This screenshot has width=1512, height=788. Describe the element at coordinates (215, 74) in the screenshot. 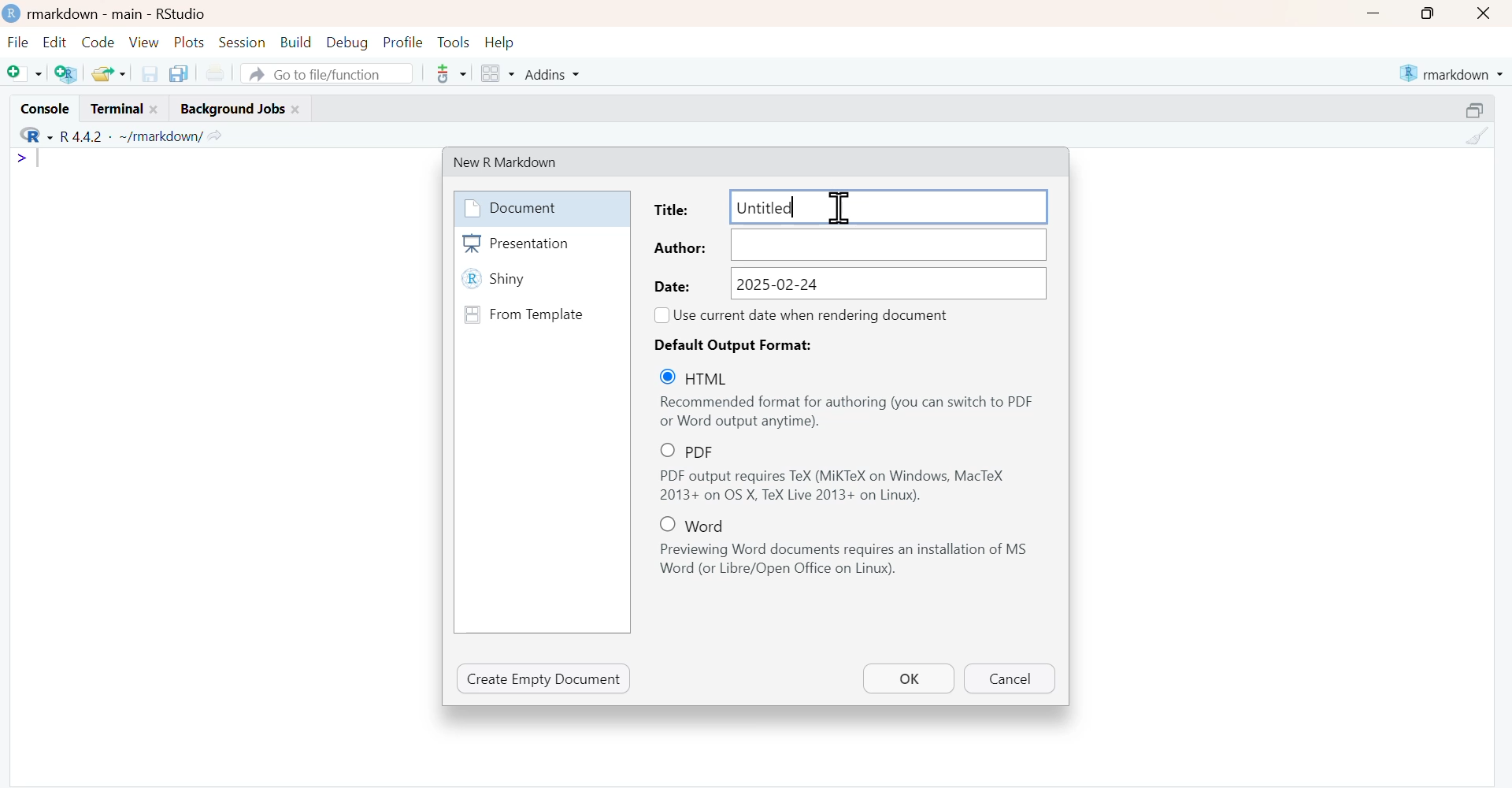

I see `print the current file` at that location.